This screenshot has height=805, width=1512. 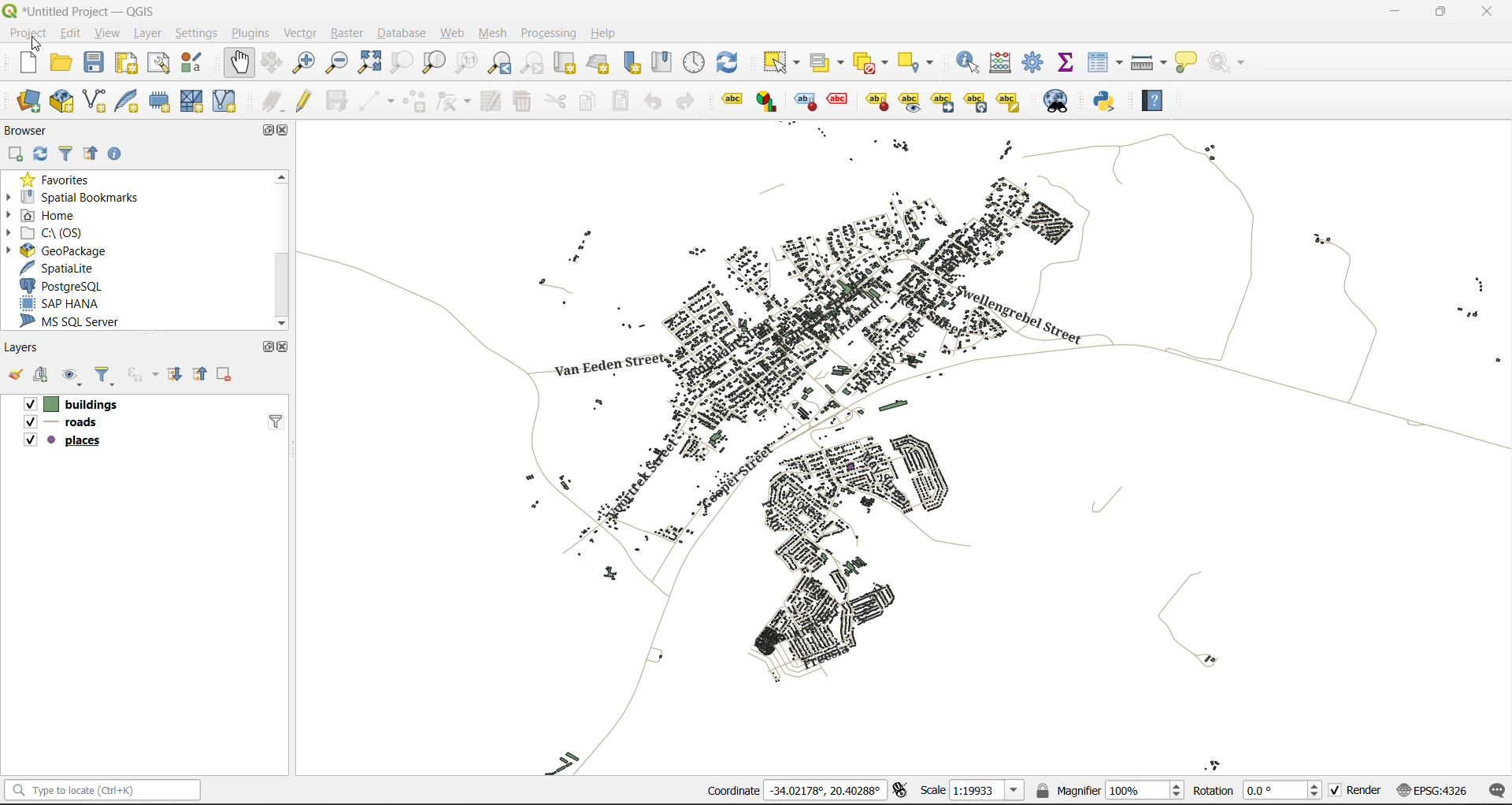 What do you see at coordinates (1494, 791) in the screenshot?
I see `log messages` at bounding box center [1494, 791].